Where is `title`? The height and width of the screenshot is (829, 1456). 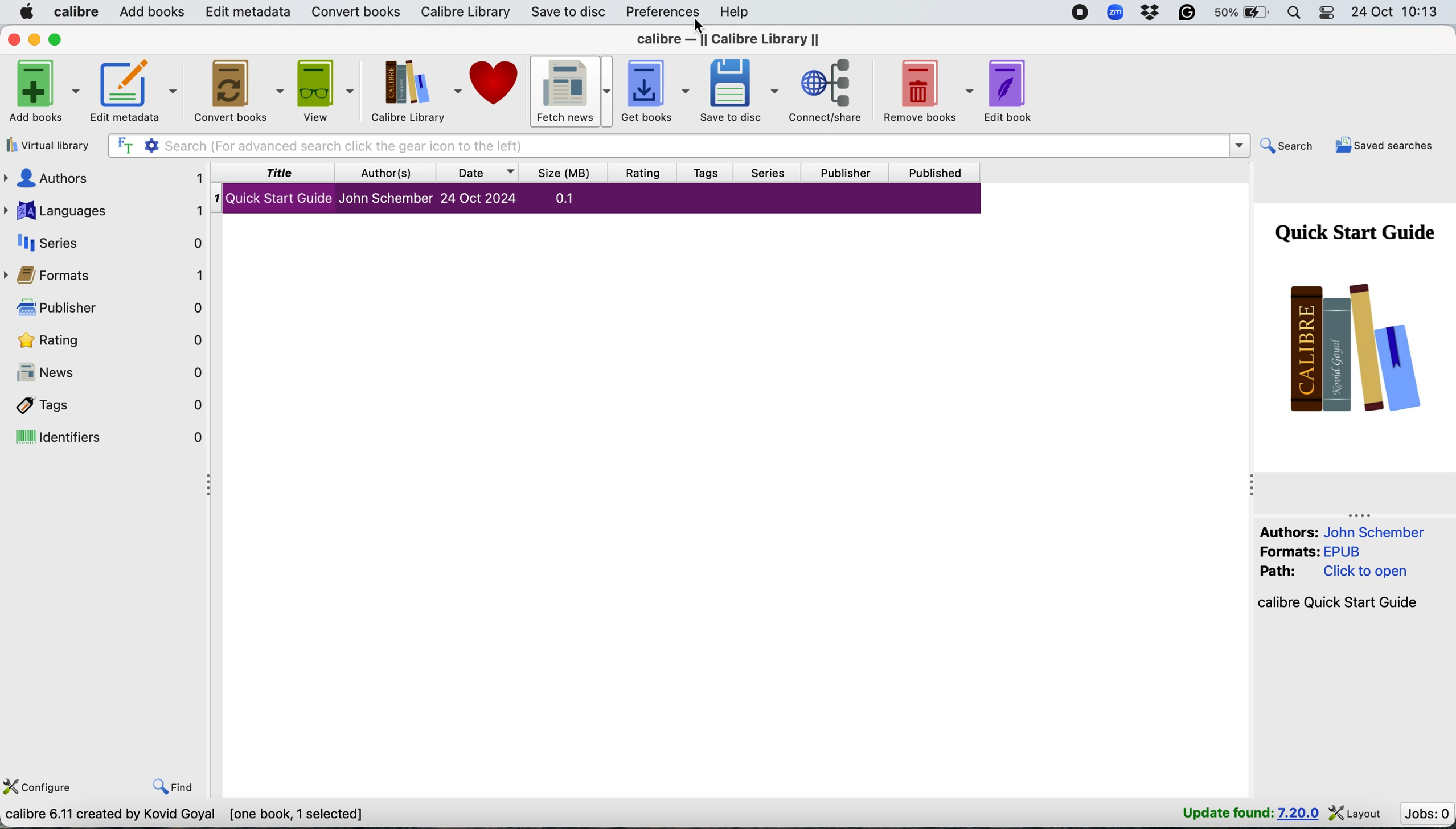 title is located at coordinates (282, 173).